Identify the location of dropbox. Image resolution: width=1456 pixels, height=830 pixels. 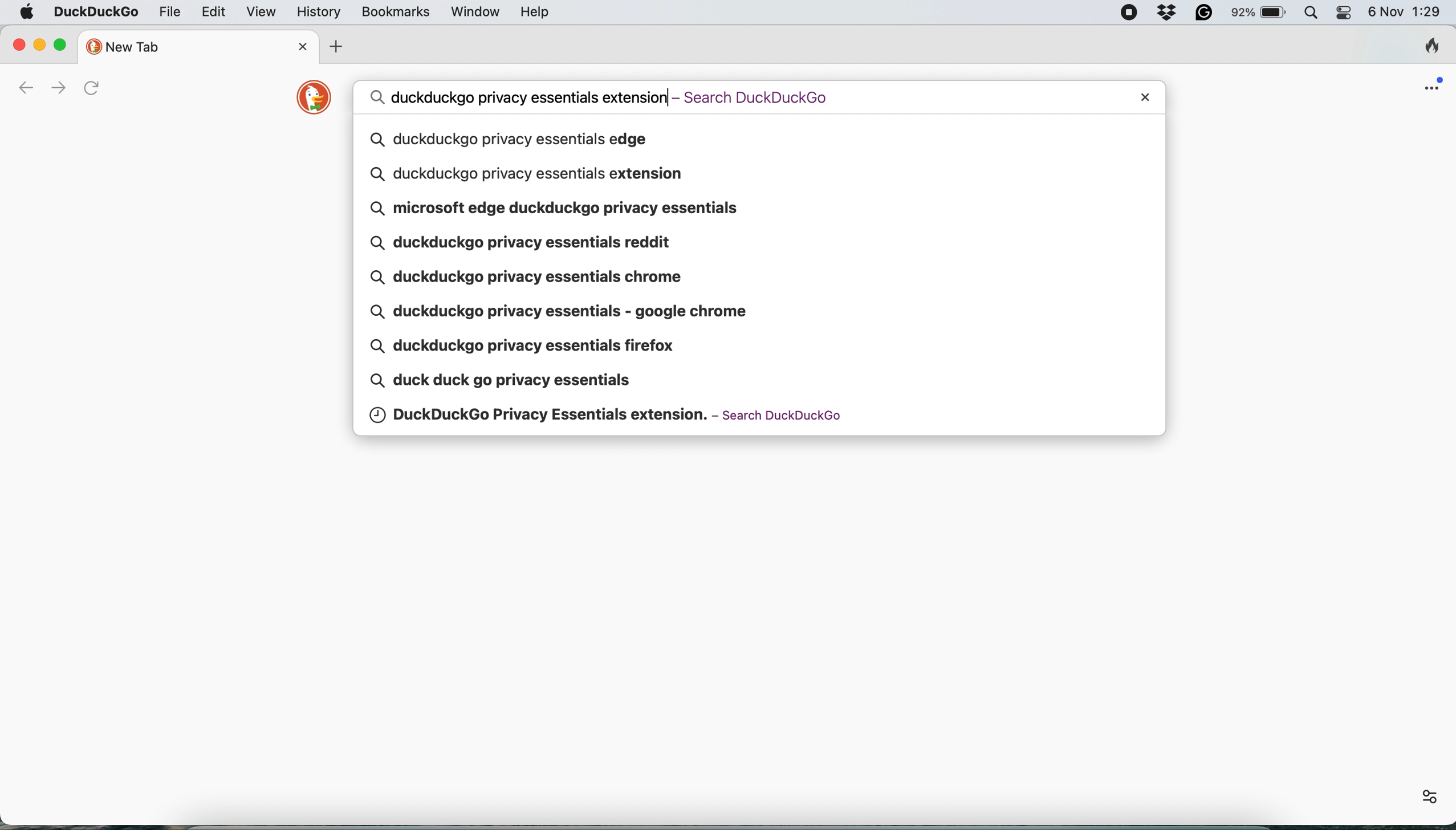
(1170, 13).